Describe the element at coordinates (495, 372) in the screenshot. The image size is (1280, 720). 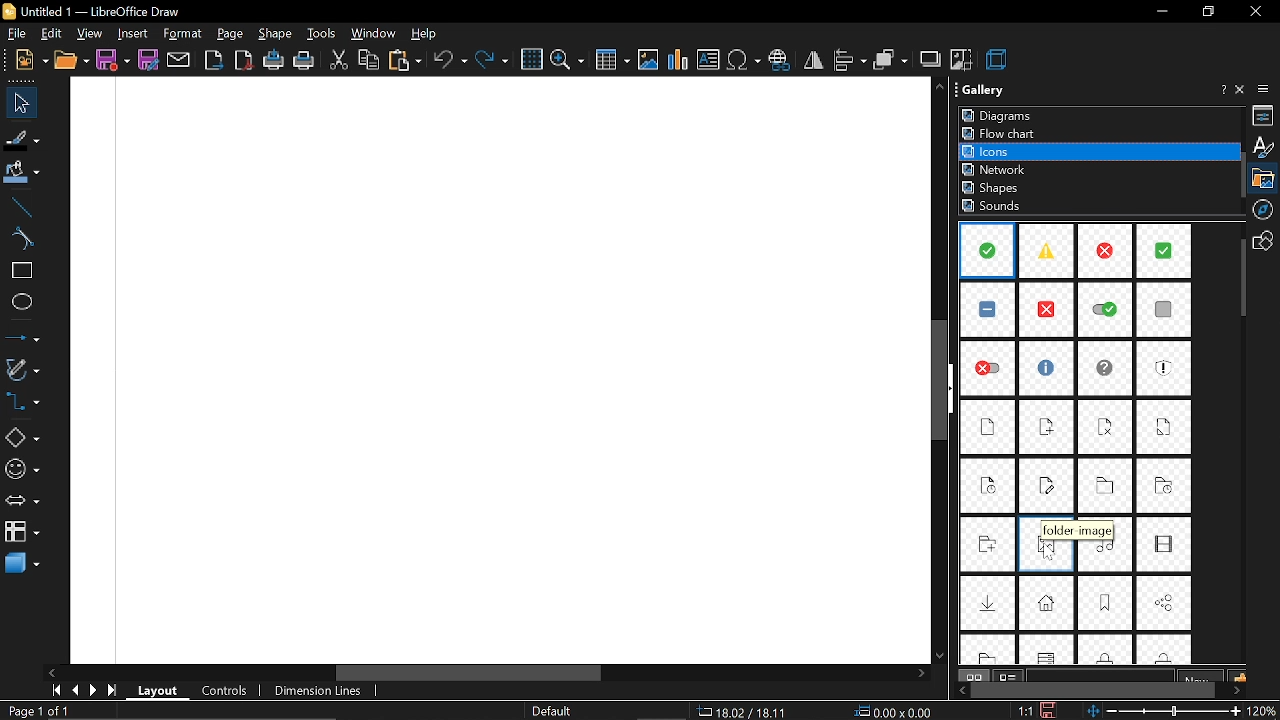
I see `Canvas` at that location.